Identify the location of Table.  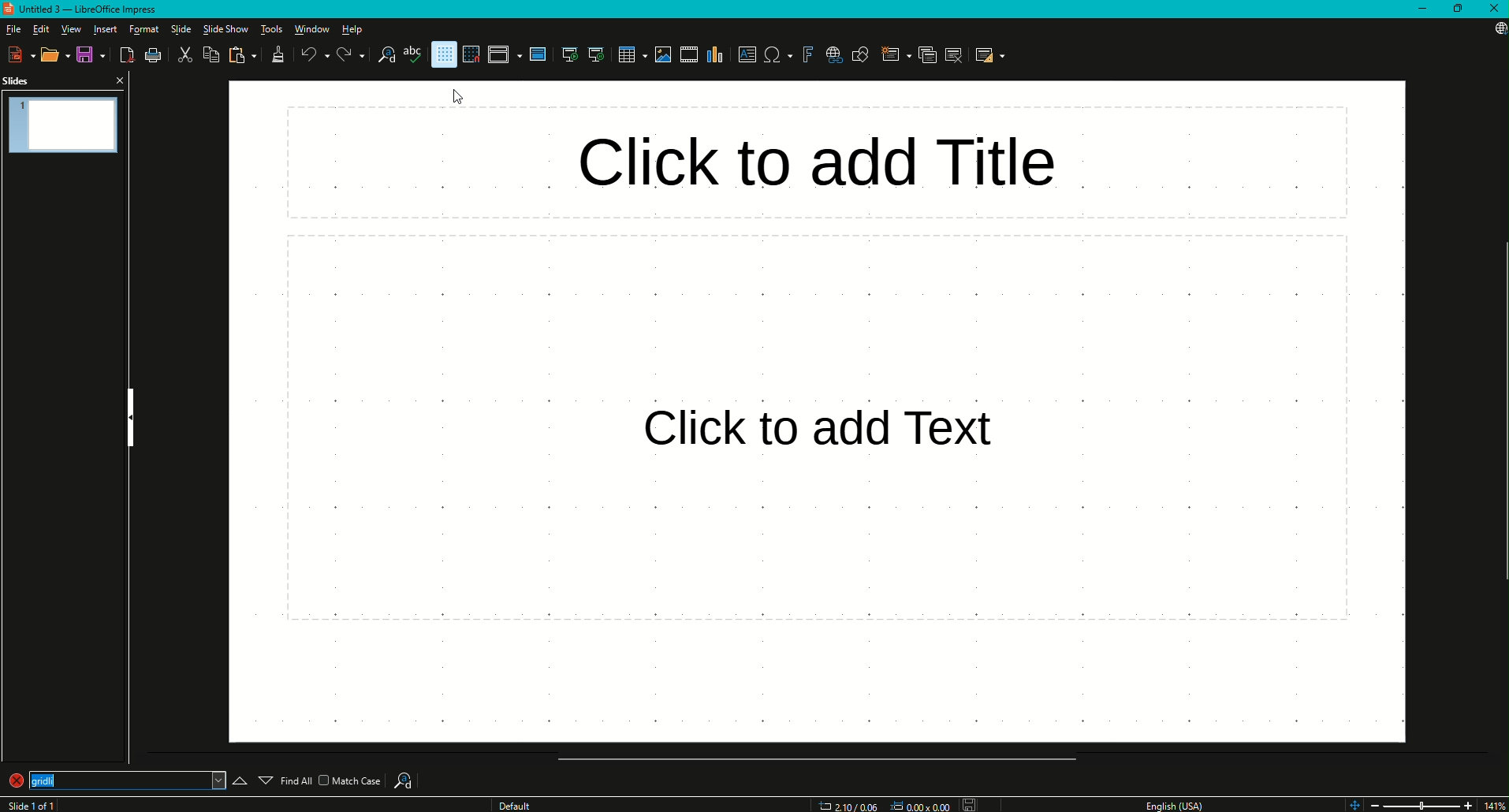
(626, 54).